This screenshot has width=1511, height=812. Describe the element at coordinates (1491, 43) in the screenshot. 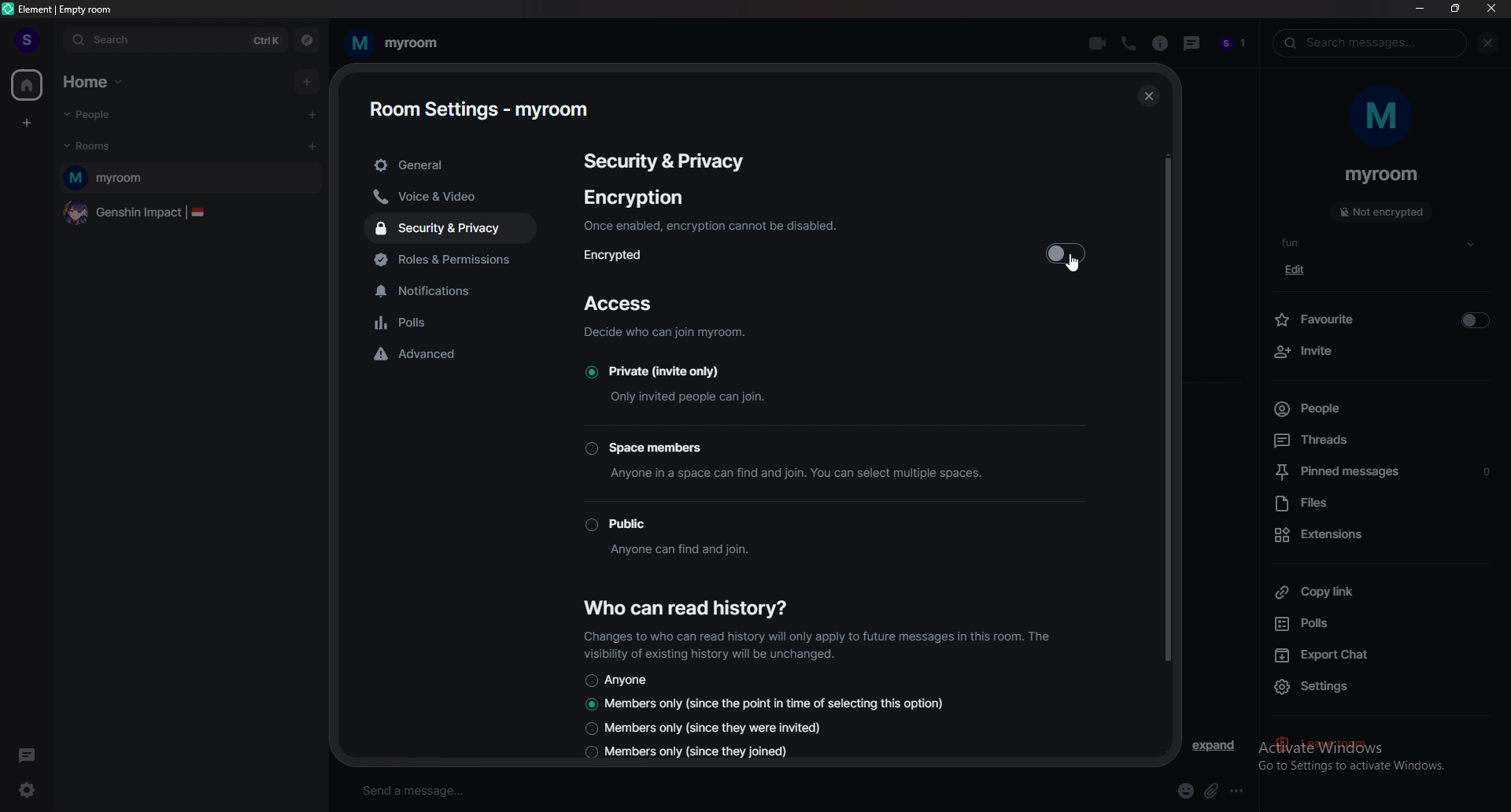

I see `close` at that location.